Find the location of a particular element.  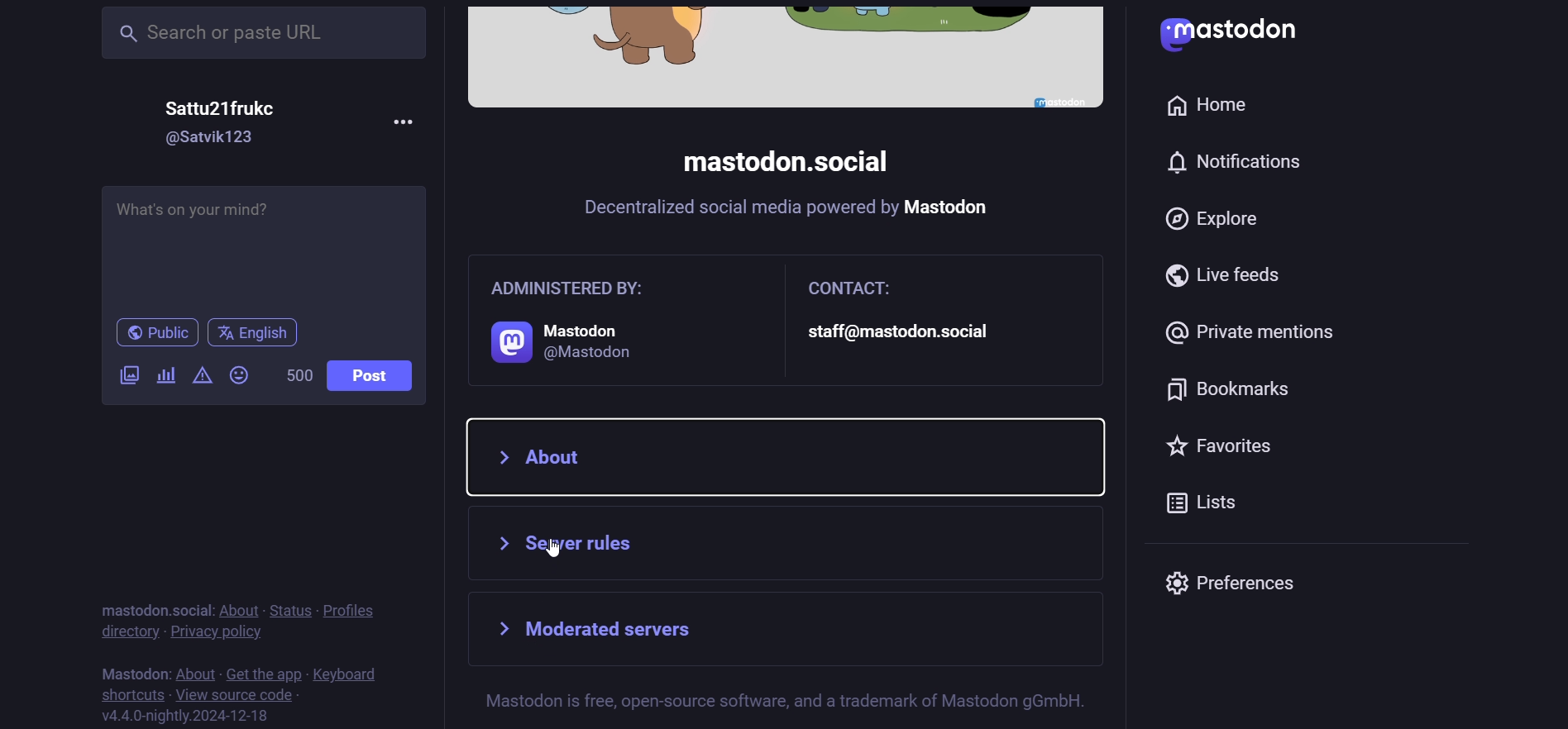

english is located at coordinates (256, 333).